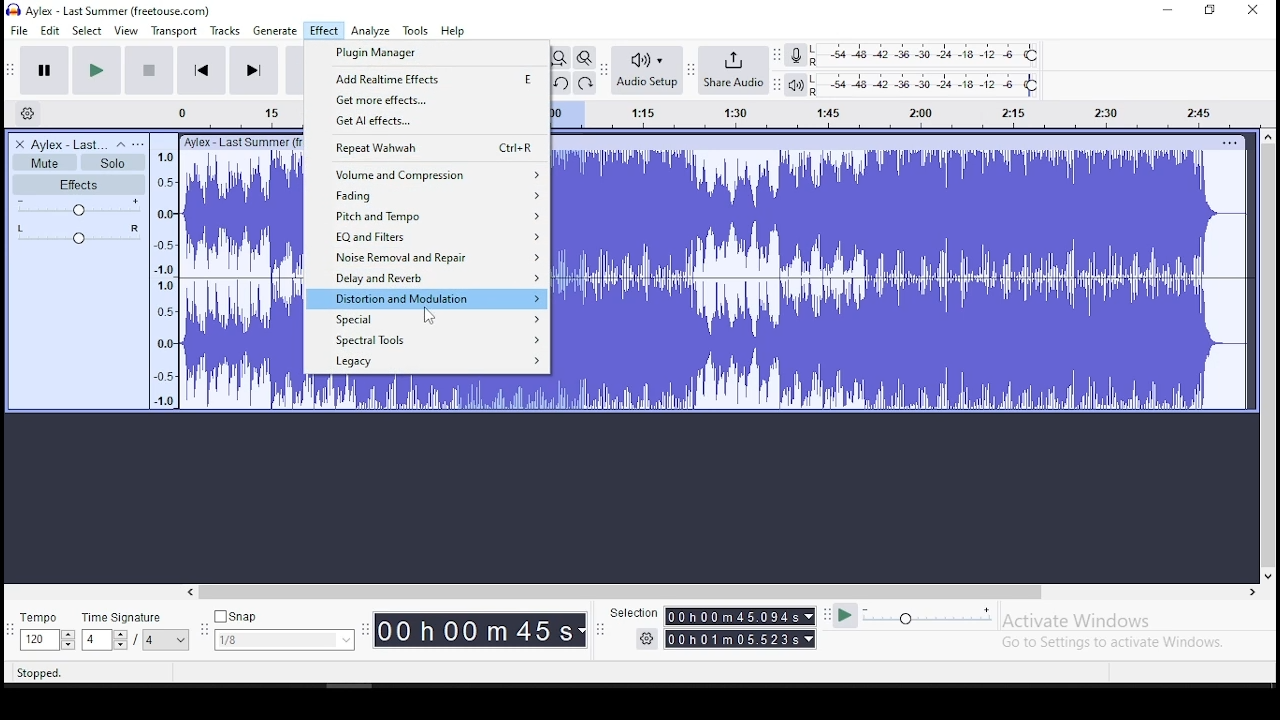 The height and width of the screenshot is (720, 1280). Describe the element at coordinates (427, 321) in the screenshot. I see `special` at that location.